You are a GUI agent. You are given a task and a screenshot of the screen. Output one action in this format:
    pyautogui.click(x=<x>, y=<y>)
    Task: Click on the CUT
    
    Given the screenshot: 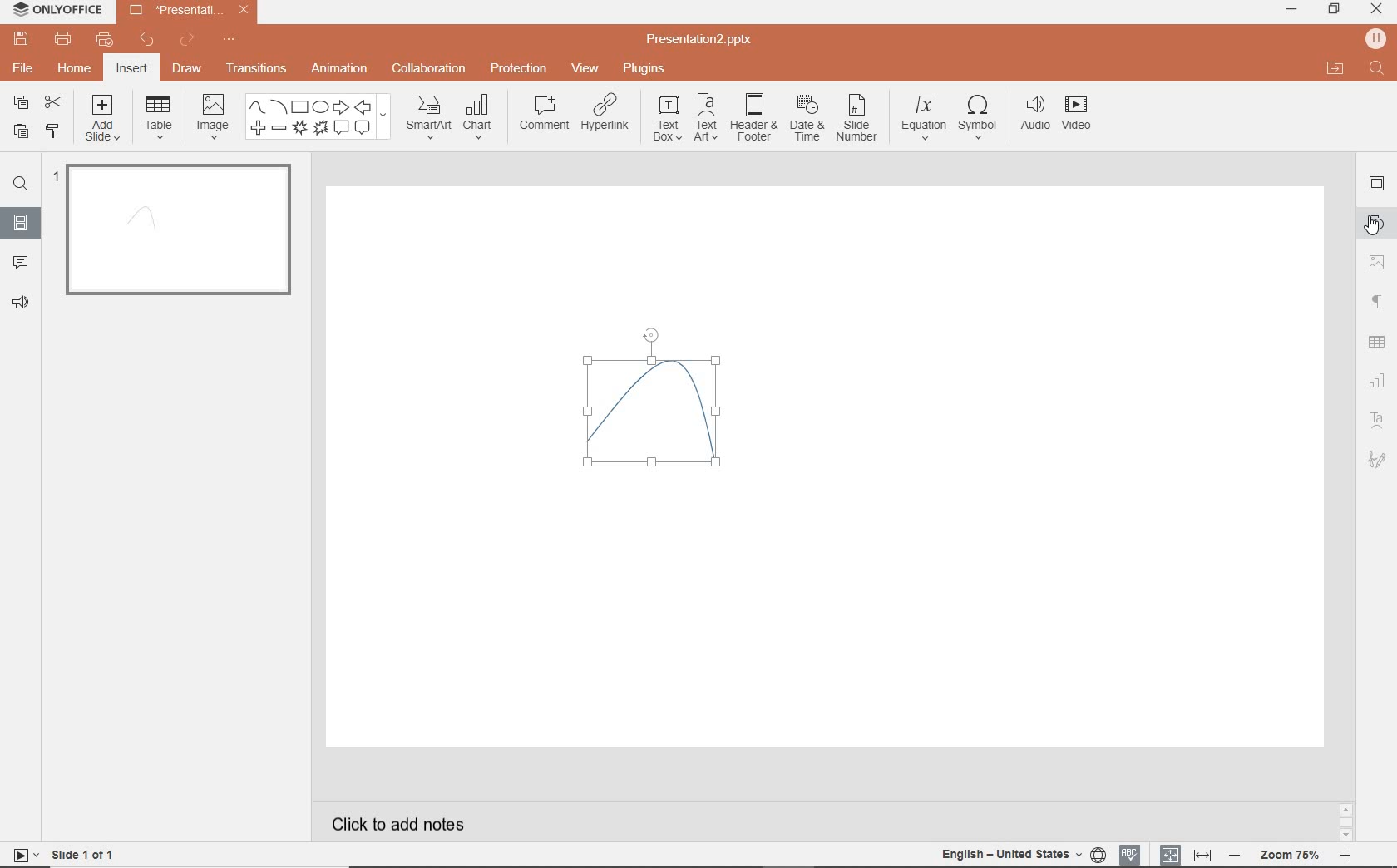 What is the action you would take?
    pyautogui.click(x=52, y=102)
    